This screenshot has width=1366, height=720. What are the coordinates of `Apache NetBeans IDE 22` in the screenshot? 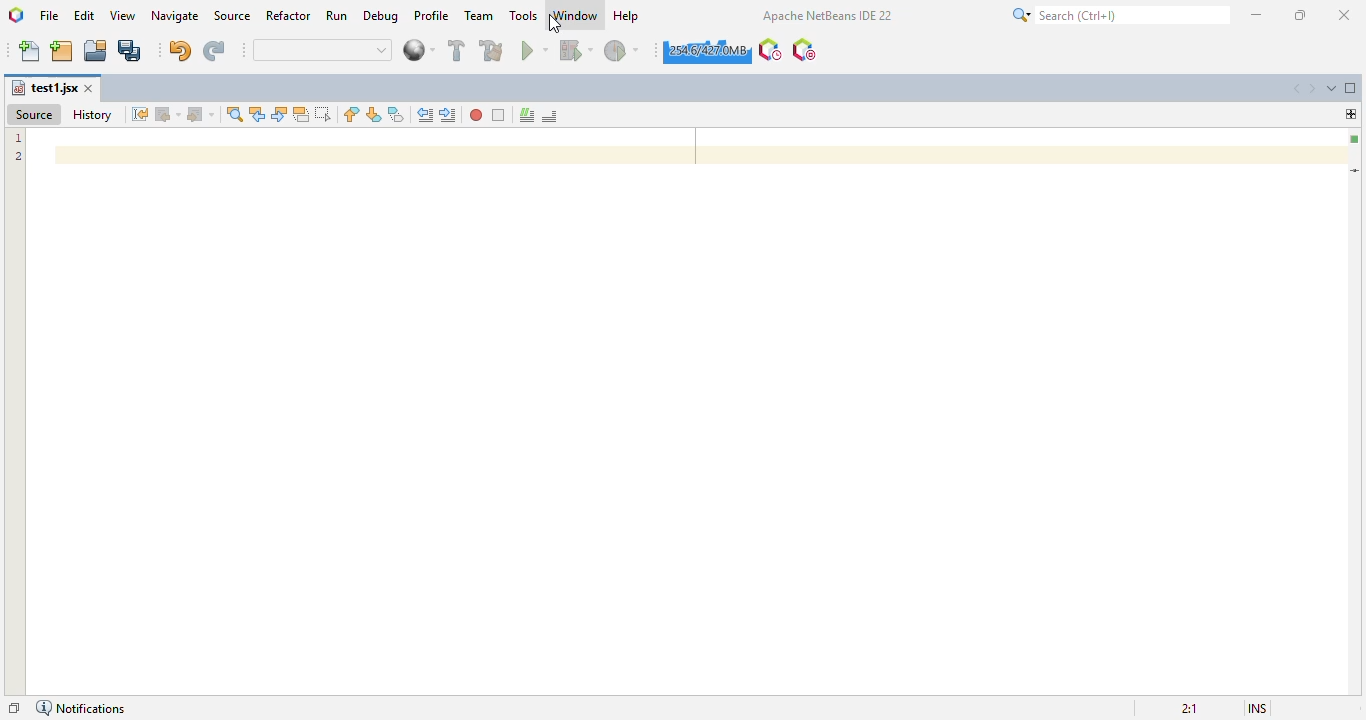 It's located at (826, 15).